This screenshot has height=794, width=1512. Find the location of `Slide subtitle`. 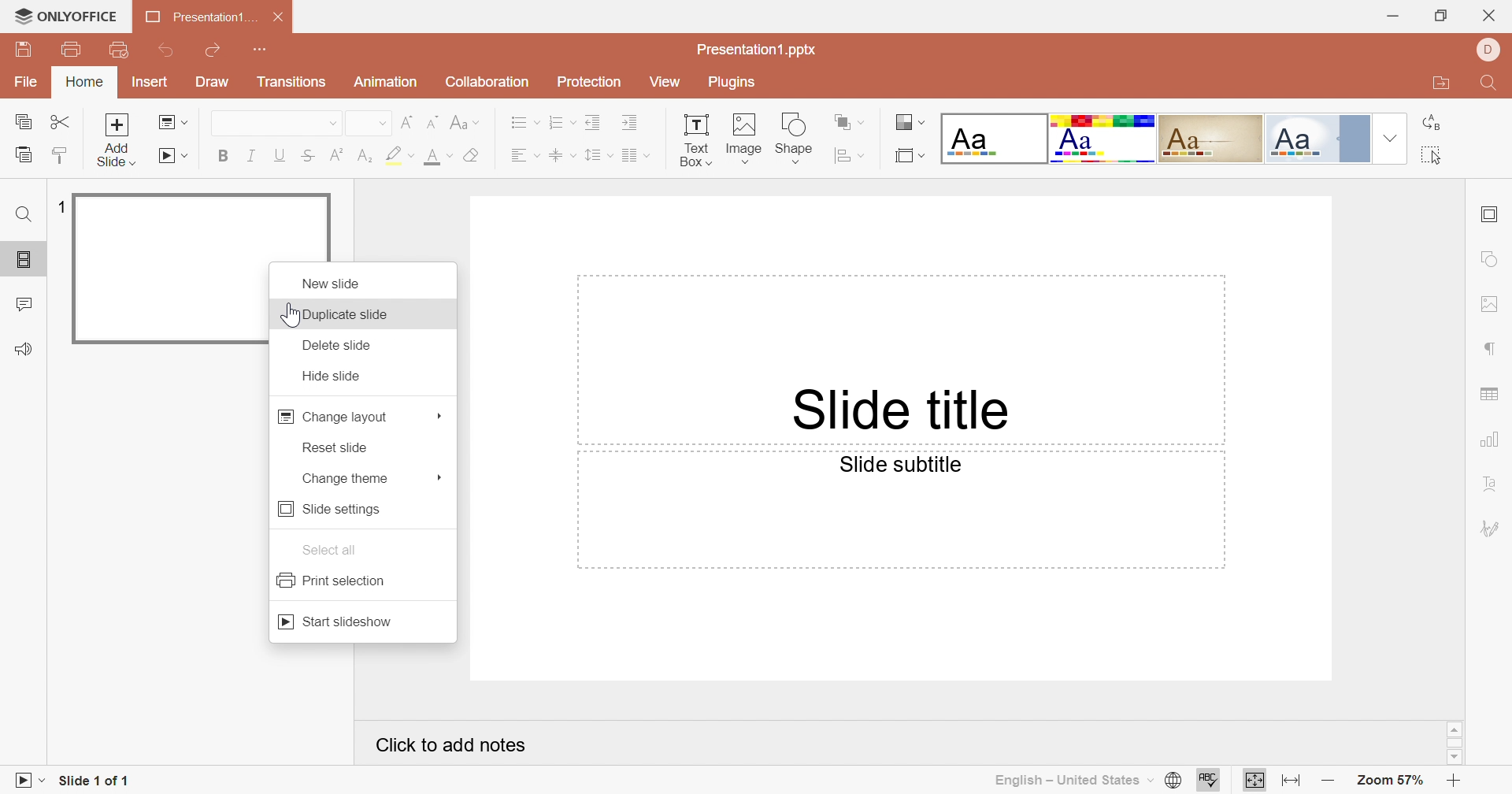

Slide subtitle is located at coordinates (898, 466).